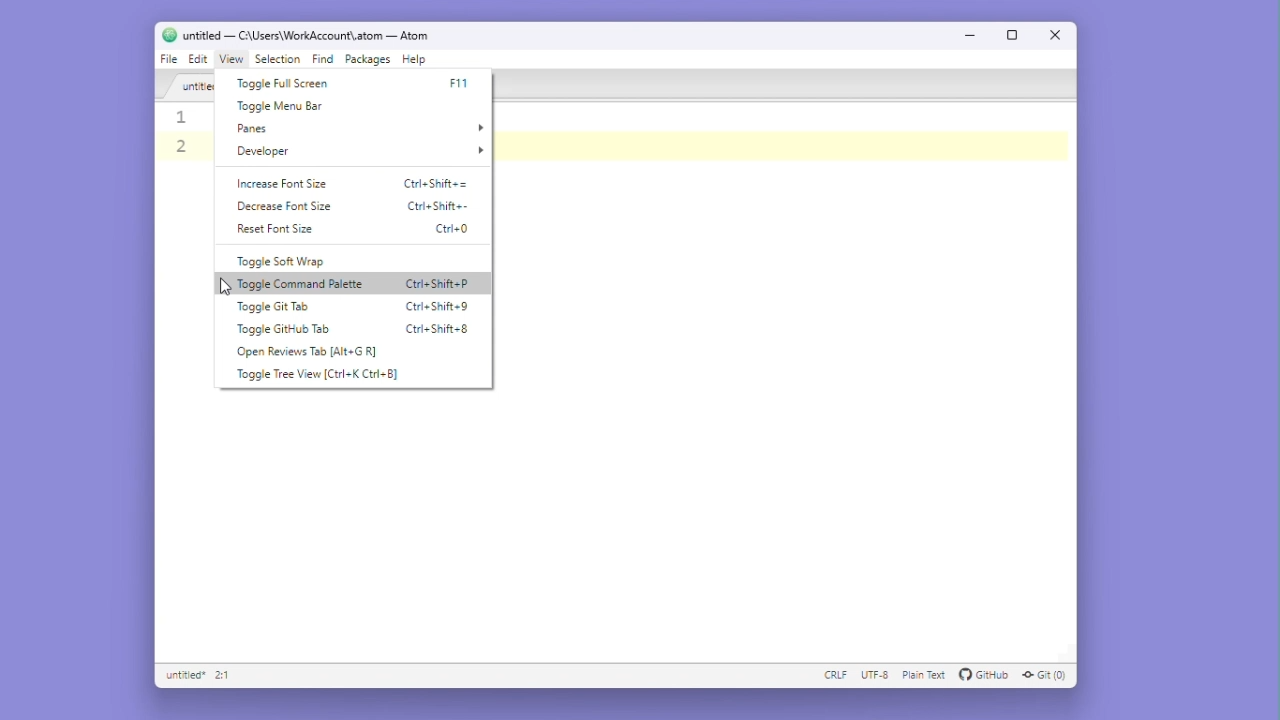  What do you see at coordinates (221, 287) in the screenshot?
I see `cursor` at bounding box center [221, 287].